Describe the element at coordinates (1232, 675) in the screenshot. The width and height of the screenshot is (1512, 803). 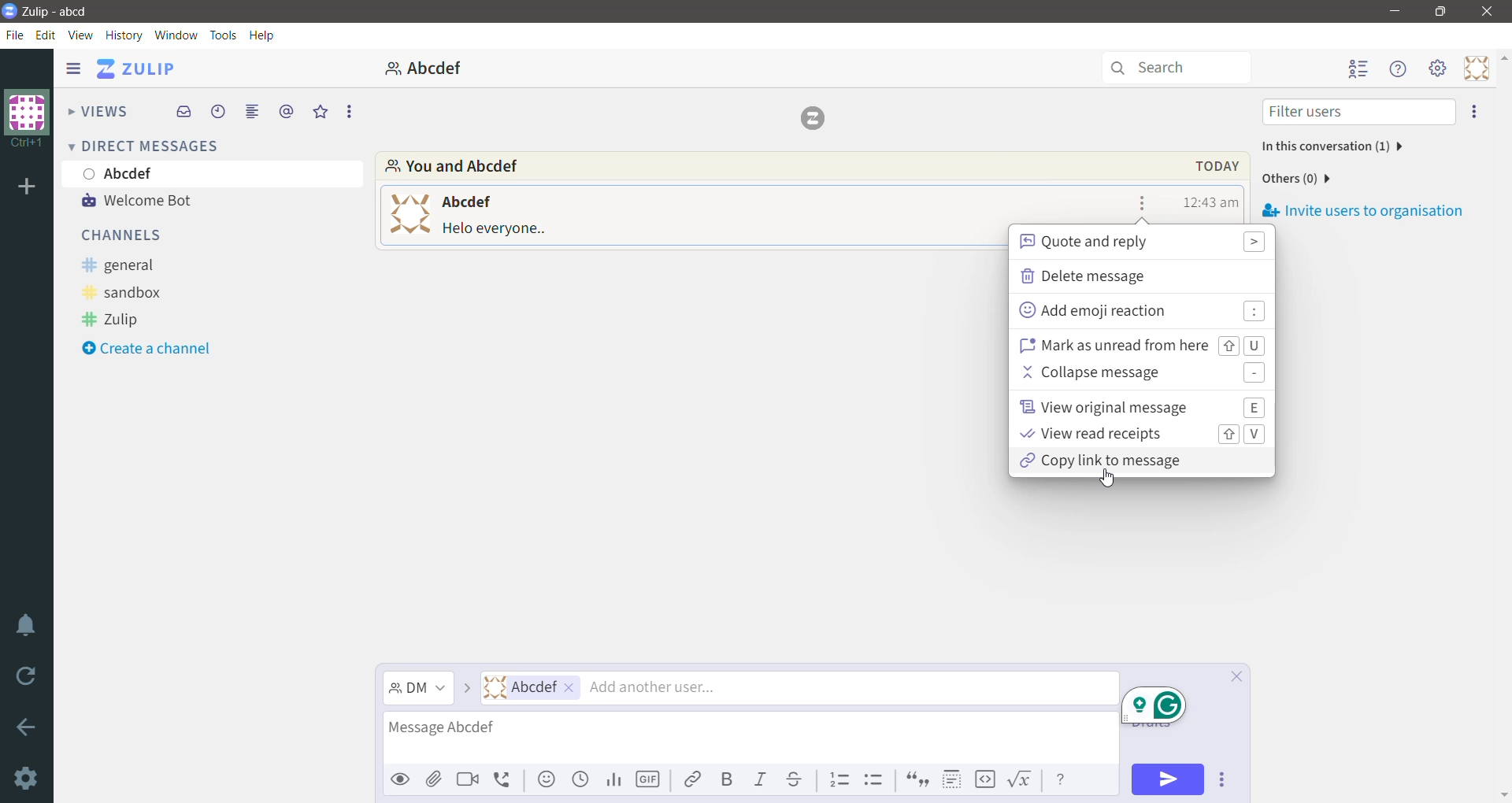
I see `Cancel compose and save draft` at that location.